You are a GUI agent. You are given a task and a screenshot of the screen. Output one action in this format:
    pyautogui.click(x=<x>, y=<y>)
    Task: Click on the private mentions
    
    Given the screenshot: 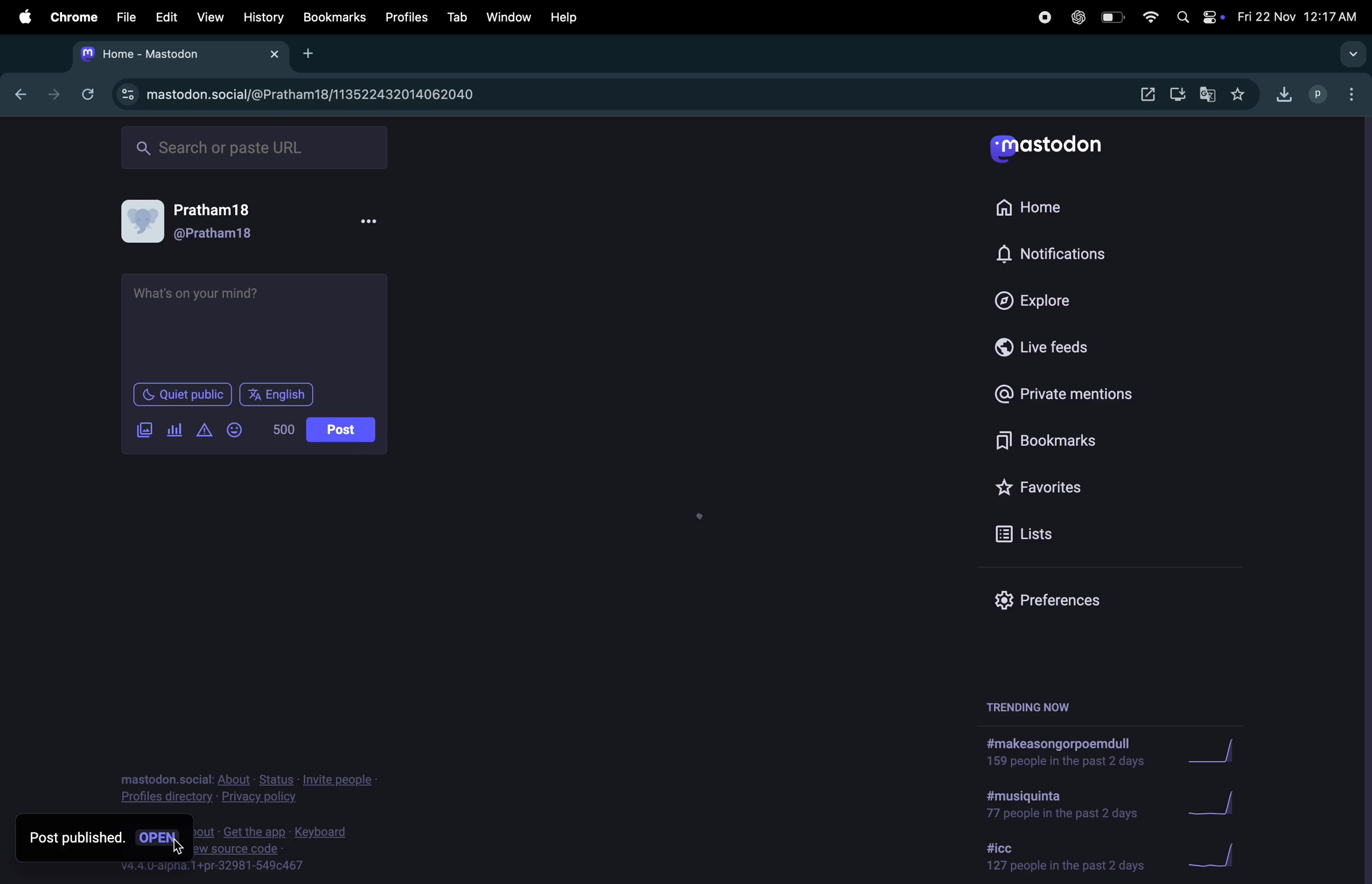 What is the action you would take?
    pyautogui.click(x=1064, y=394)
    